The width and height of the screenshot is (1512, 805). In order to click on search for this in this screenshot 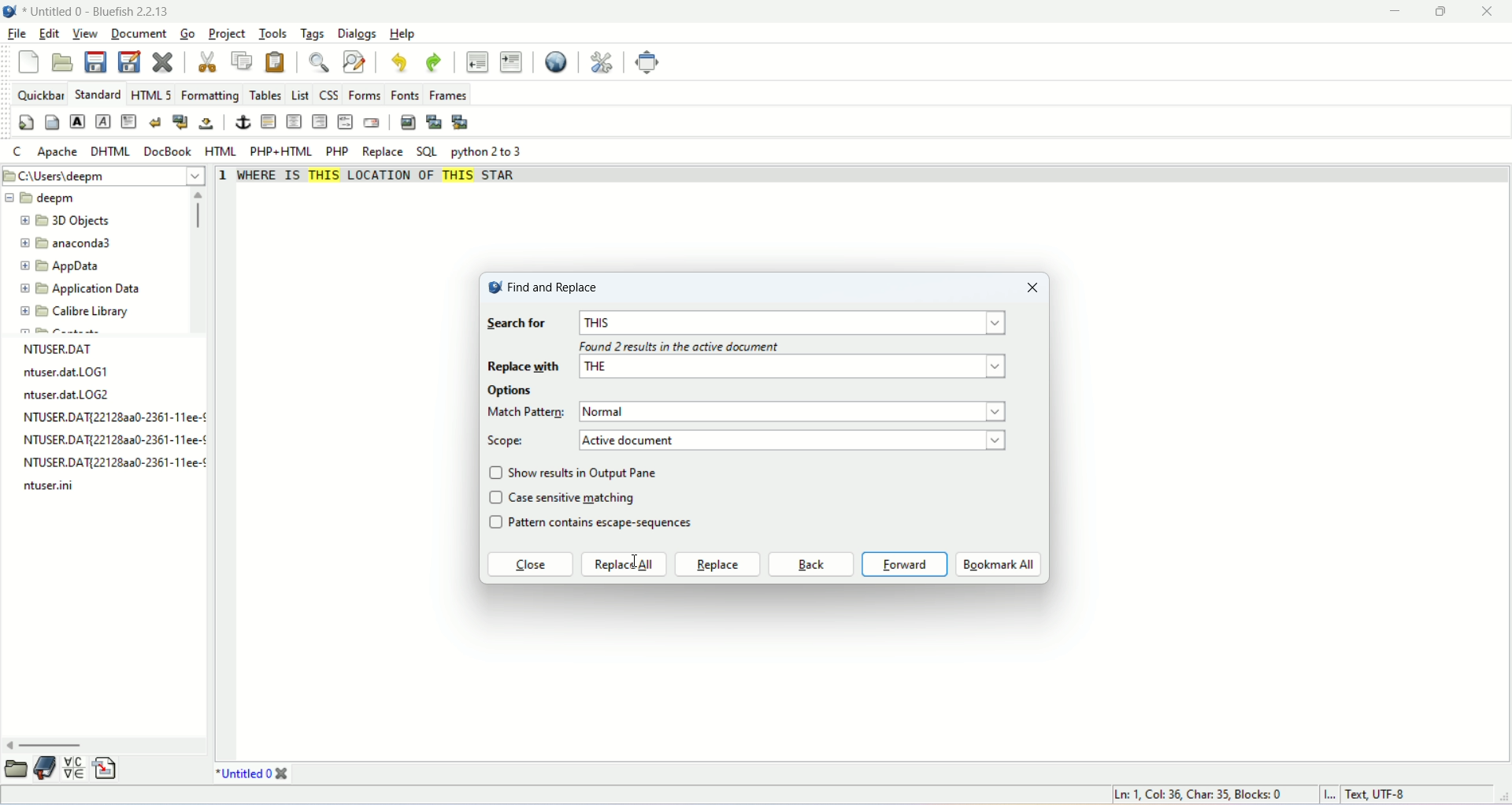, I will do `click(750, 324)`.